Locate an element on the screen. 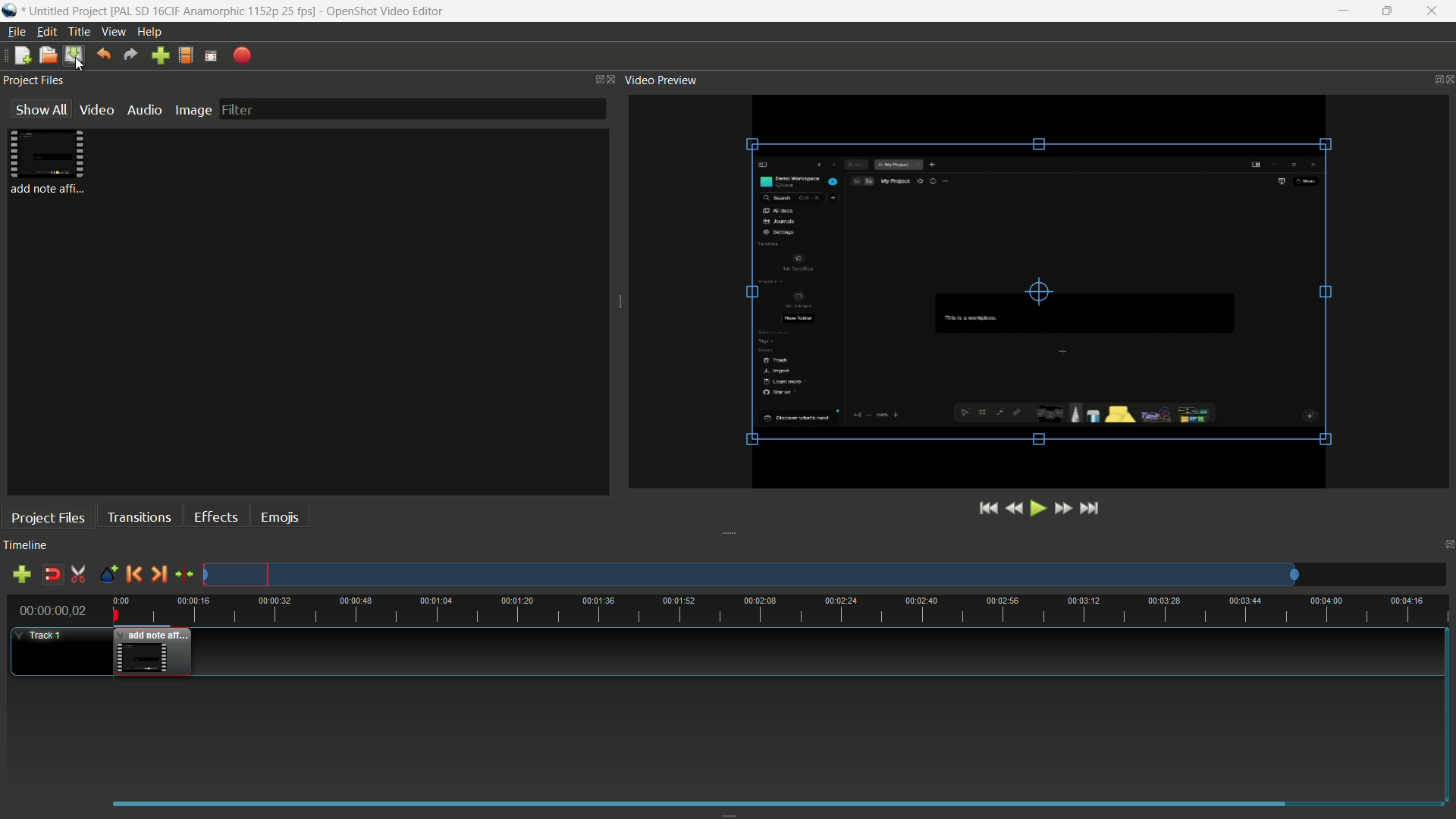 The width and height of the screenshot is (1456, 819). next marker is located at coordinates (158, 575).